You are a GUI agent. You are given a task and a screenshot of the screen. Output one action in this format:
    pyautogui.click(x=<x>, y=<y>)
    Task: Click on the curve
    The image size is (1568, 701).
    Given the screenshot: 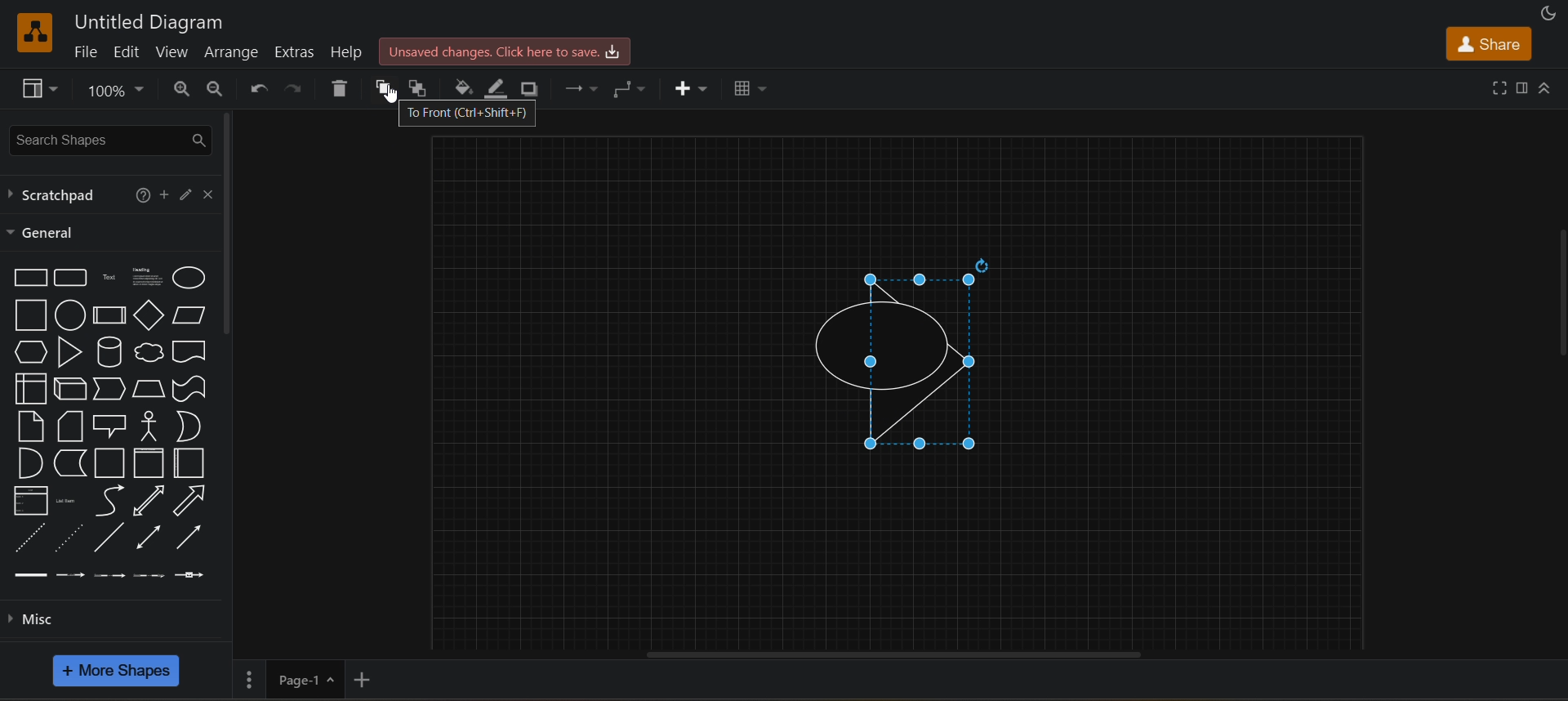 What is the action you would take?
    pyautogui.click(x=105, y=500)
    